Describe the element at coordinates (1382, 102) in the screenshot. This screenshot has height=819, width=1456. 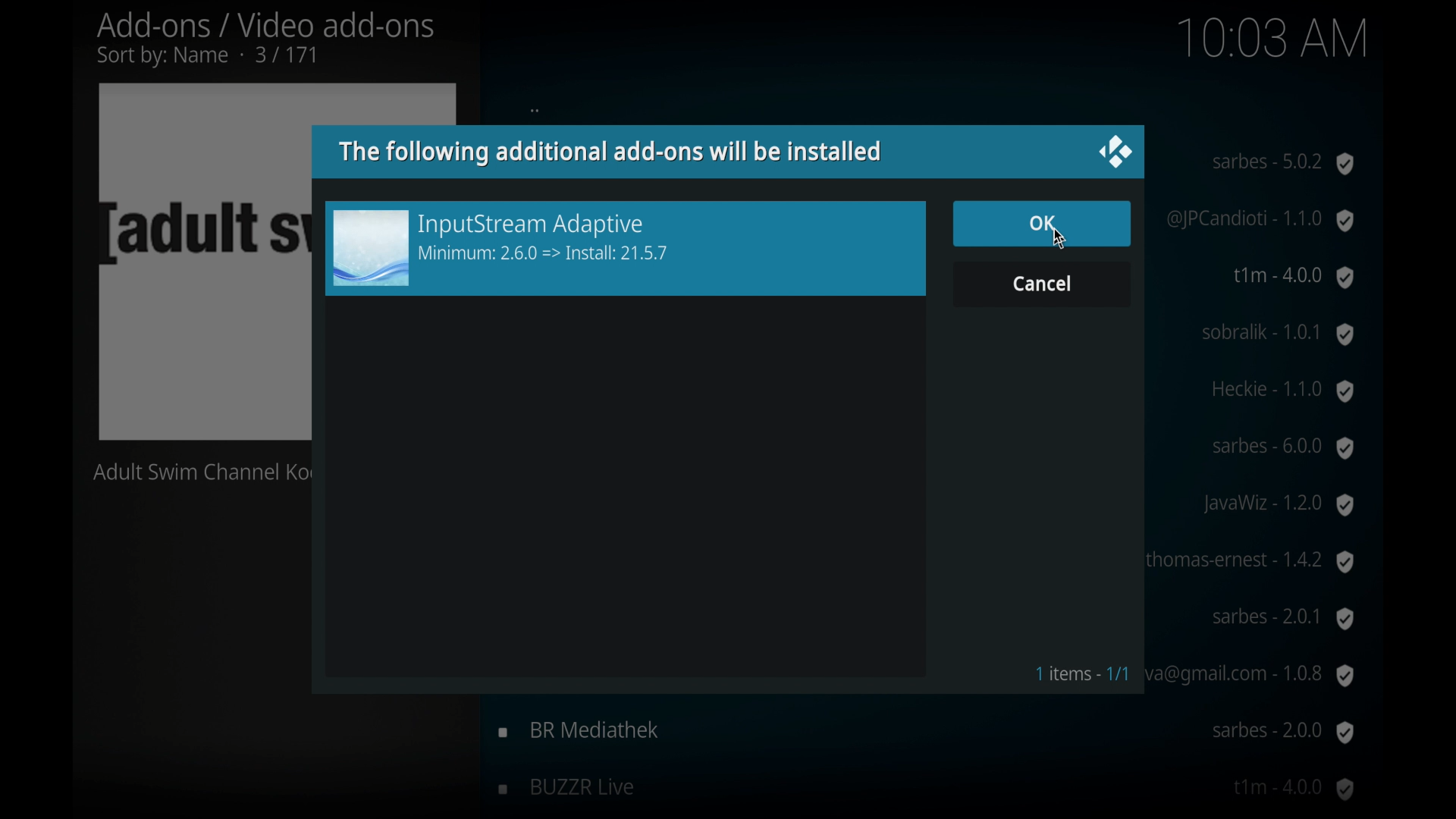
I see `scroll box` at that location.